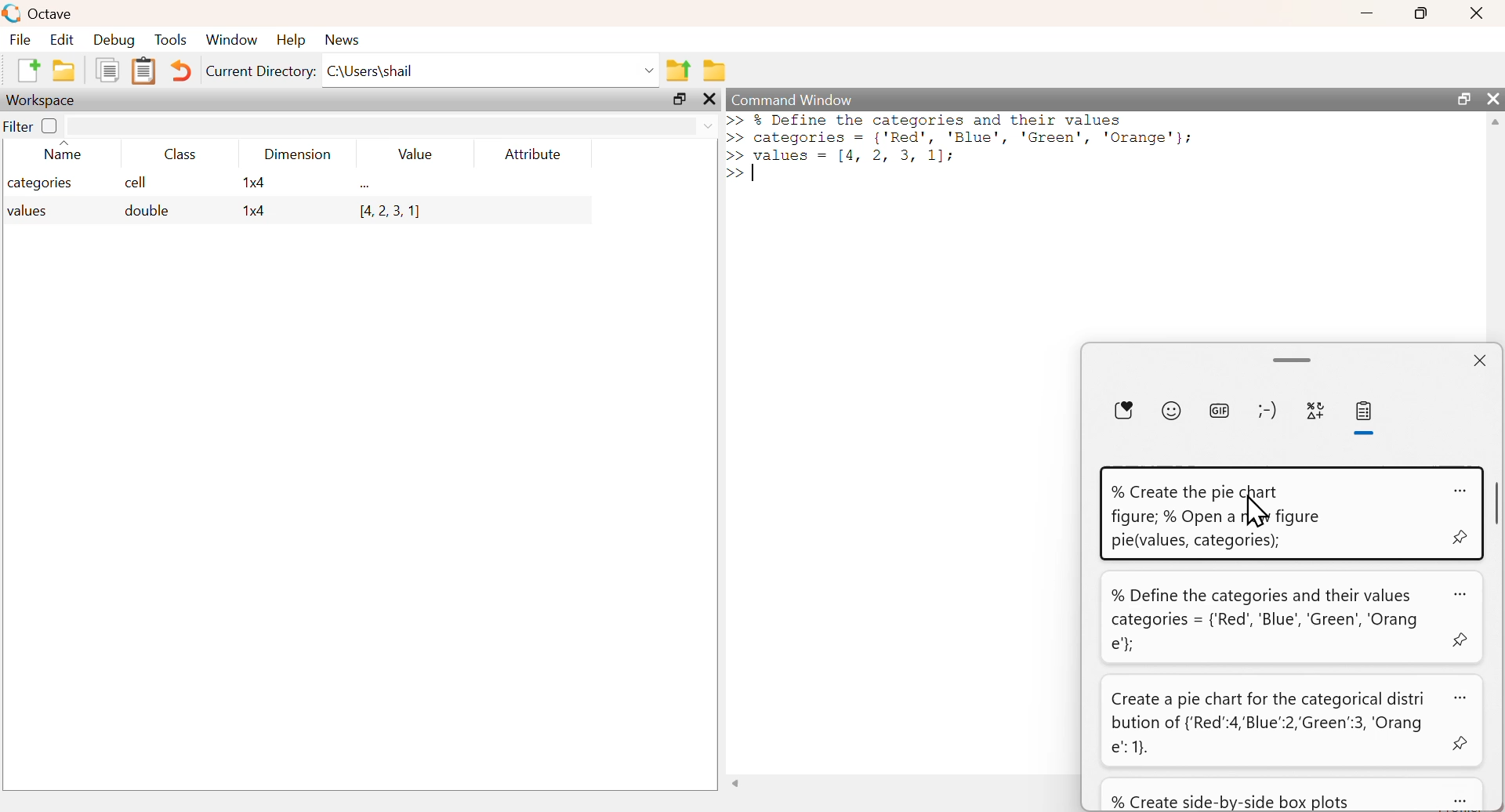 This screenshot has width=1505, height=812. What do you see at coordinates (1460, 491) in the screenshot?
I see `more options` at bounding box center [1460, 491].